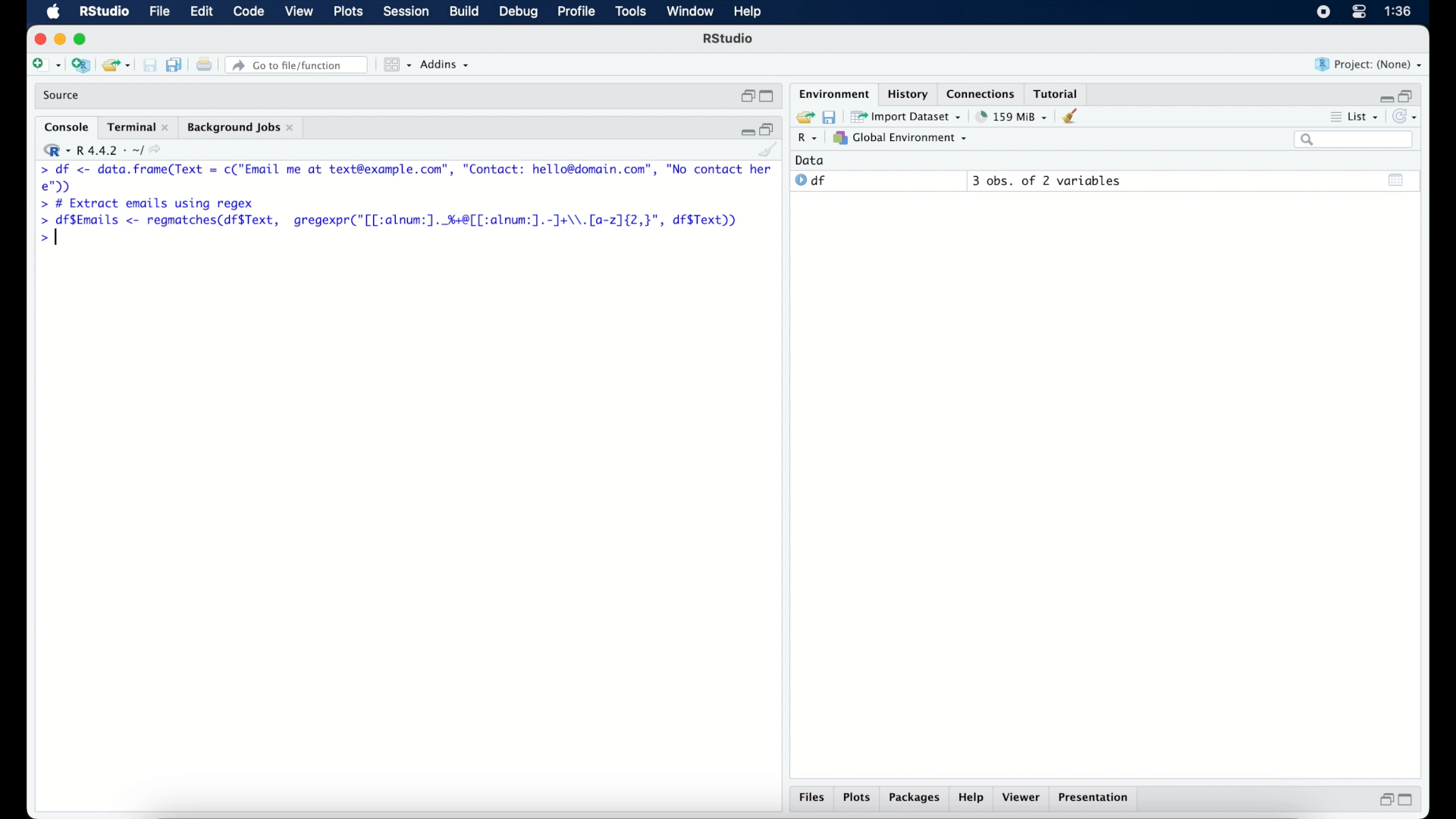  Describe the element at coordinates (914, 799) in the screenshot. I see `packages` at that location.